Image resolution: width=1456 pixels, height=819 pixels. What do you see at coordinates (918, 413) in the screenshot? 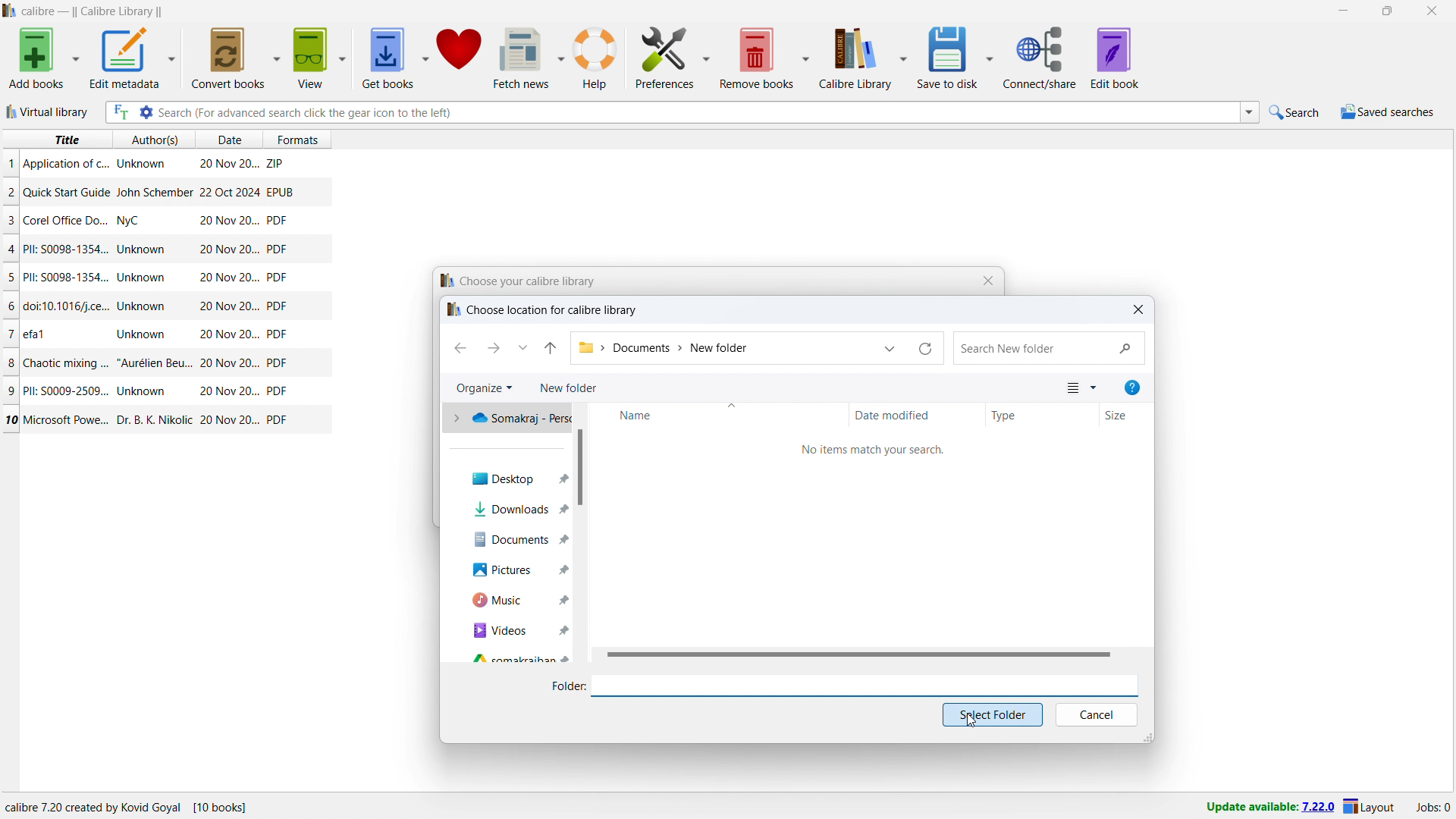
I see `date modified` at bounding box center [918, 413].